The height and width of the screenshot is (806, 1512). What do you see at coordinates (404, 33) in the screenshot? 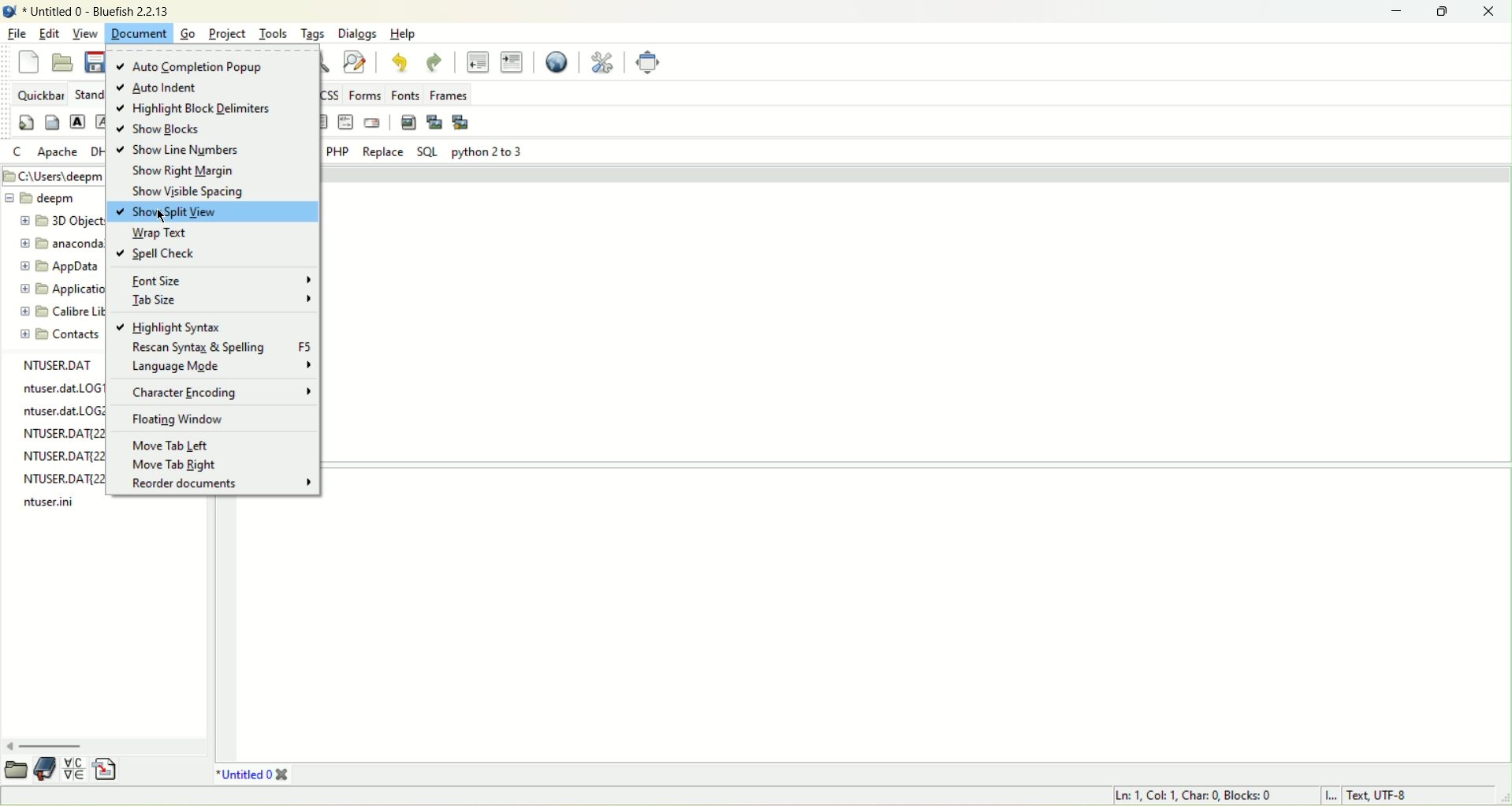
I see `help` at bounding box center [404, 33].